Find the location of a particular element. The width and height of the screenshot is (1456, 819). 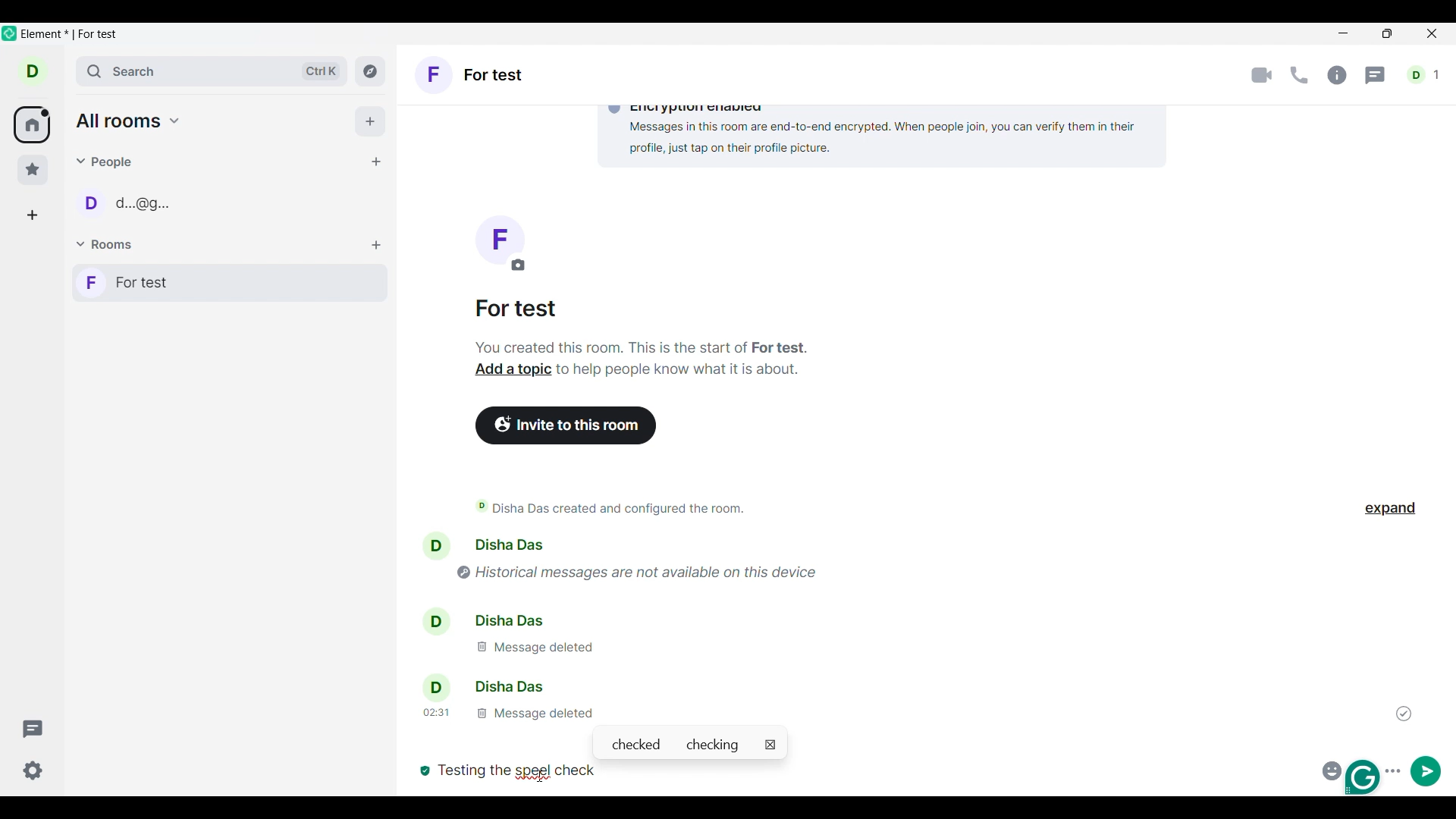

message deleted is located at coordinates (532, 647).